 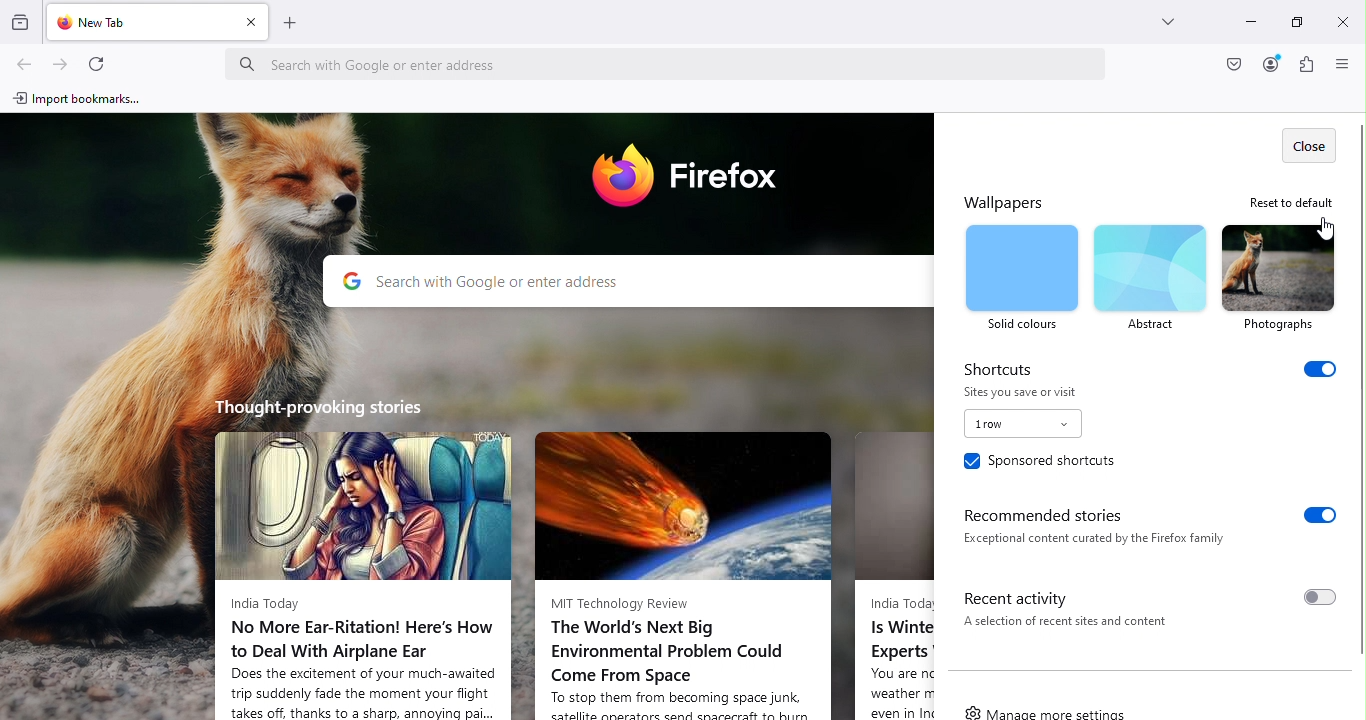 I want to click on Sites you save or visit, so click(x=1025, y=421).